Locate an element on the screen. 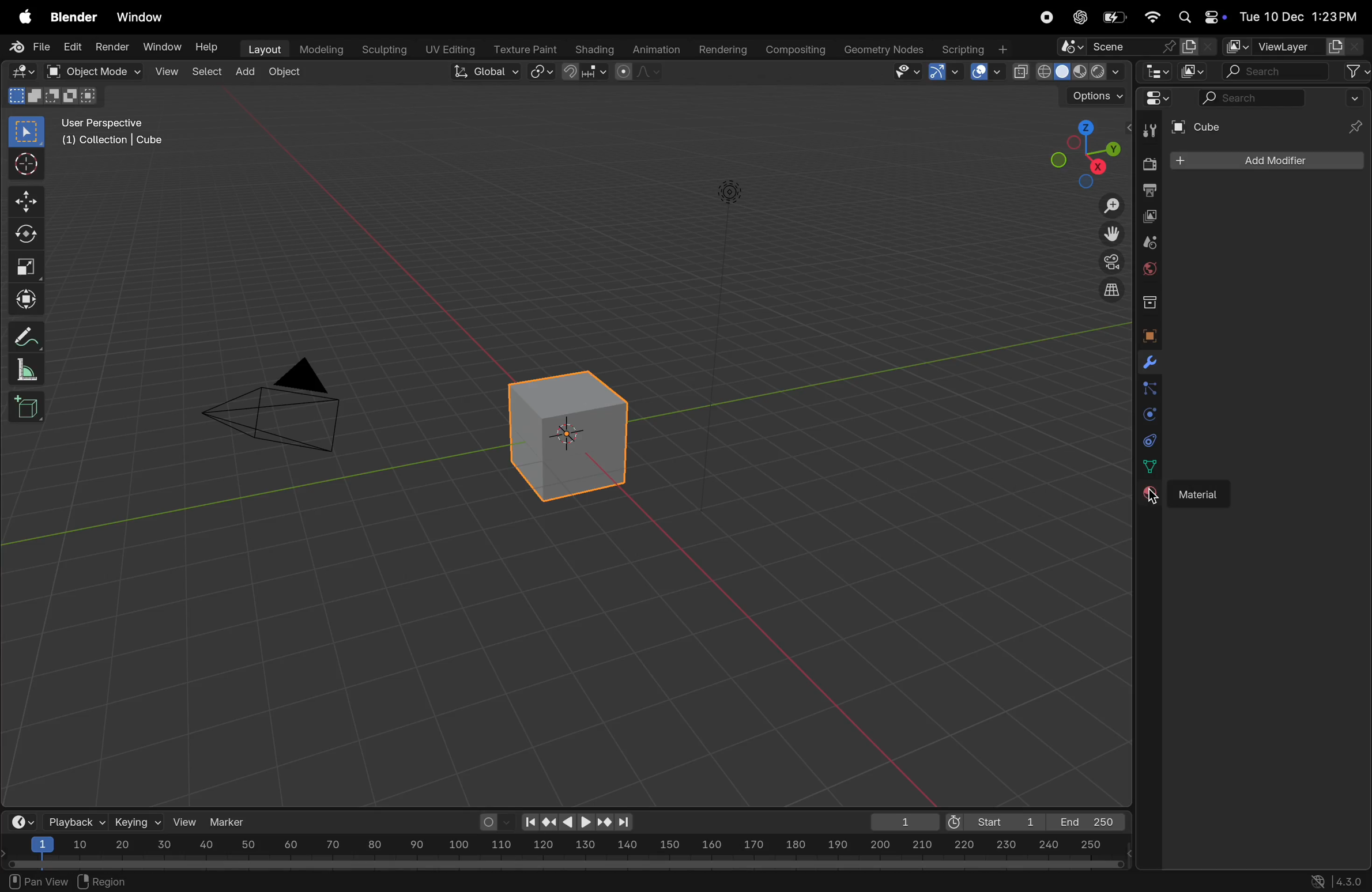  editor type is located at coordinates (18, 70).